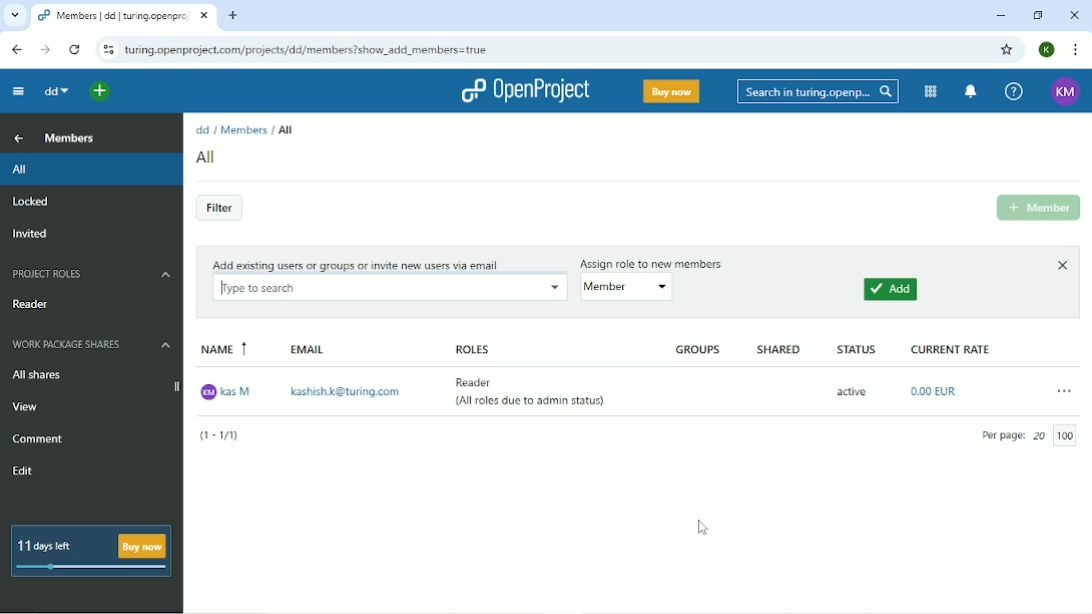  Describe the element at coordinates (1000, 15) in the screenshot. I see `Minimize` at that location.